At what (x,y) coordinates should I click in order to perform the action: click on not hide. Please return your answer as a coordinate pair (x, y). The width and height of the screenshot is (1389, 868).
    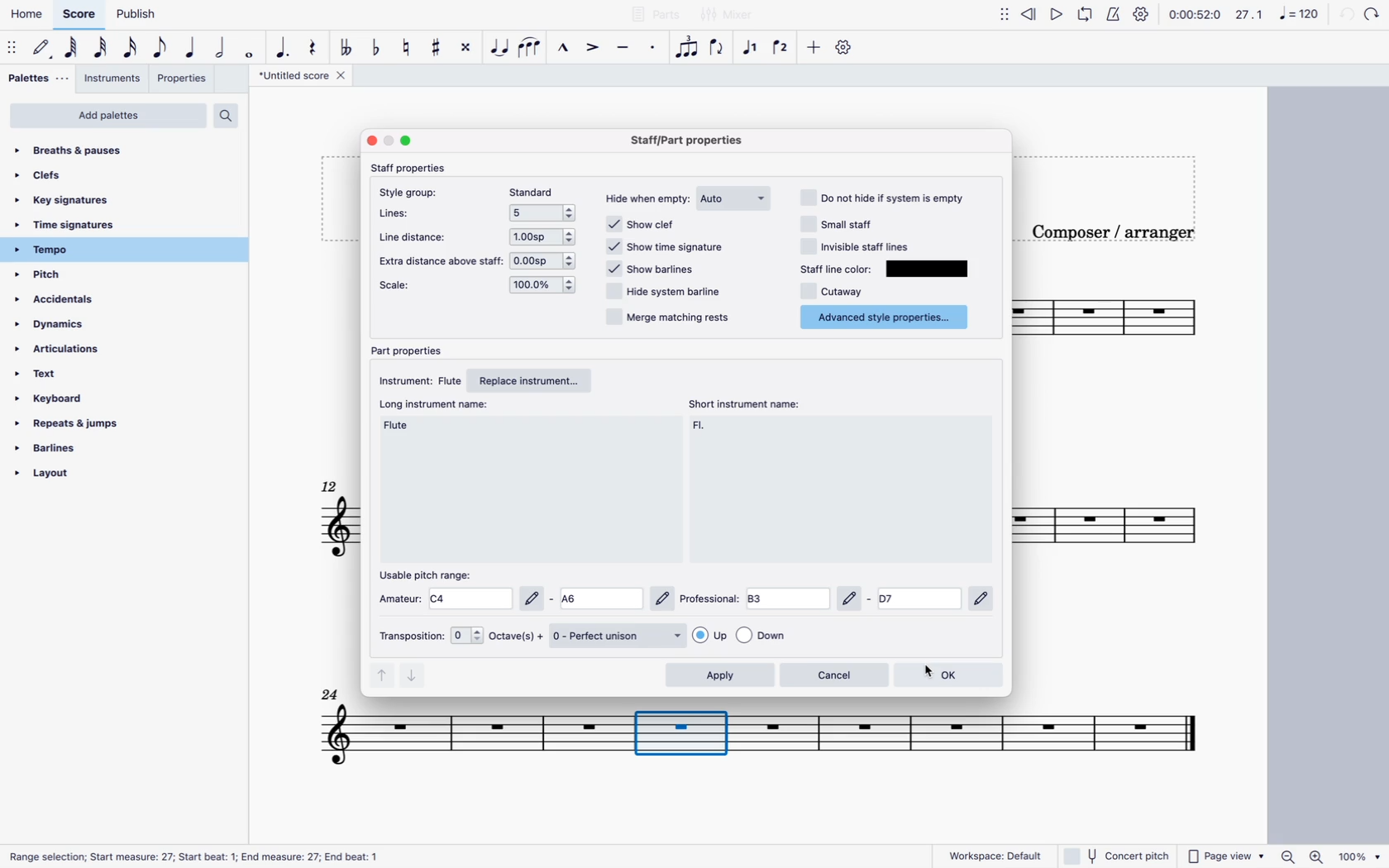
    Looking at the image, I should click on (889, 197).